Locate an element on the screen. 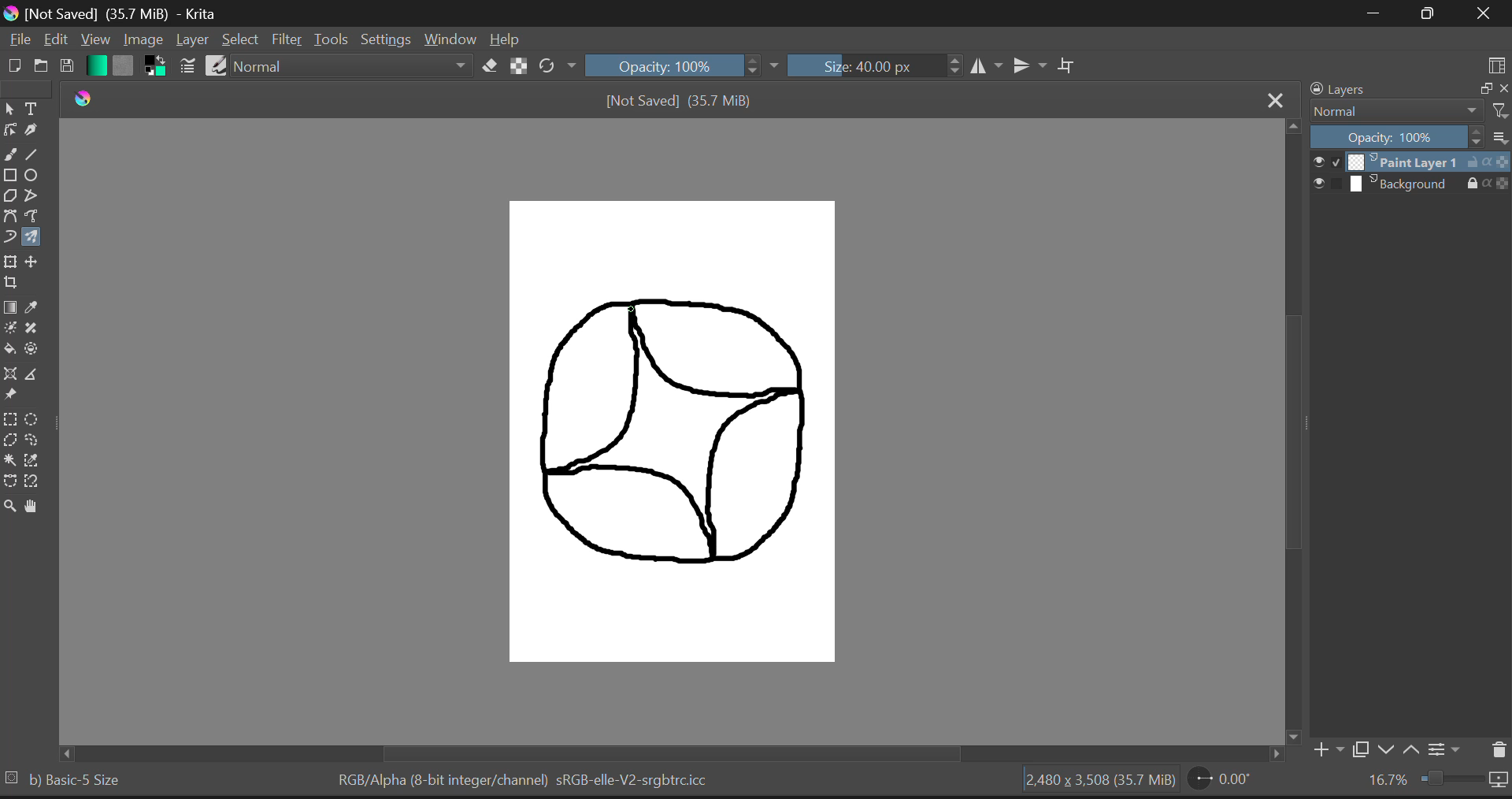 The image size is (1512, 799). Filter is located at coordinates (288, 40).